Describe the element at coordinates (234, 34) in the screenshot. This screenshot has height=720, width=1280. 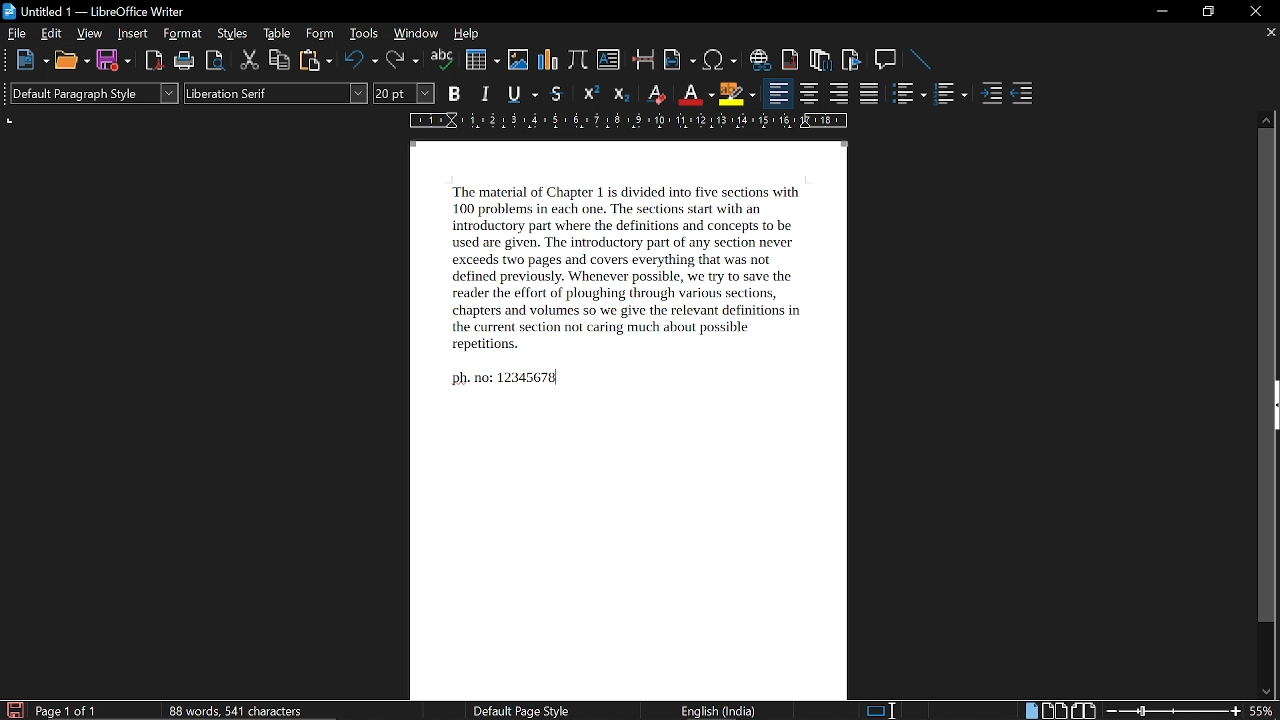
I see `styles` at that location.